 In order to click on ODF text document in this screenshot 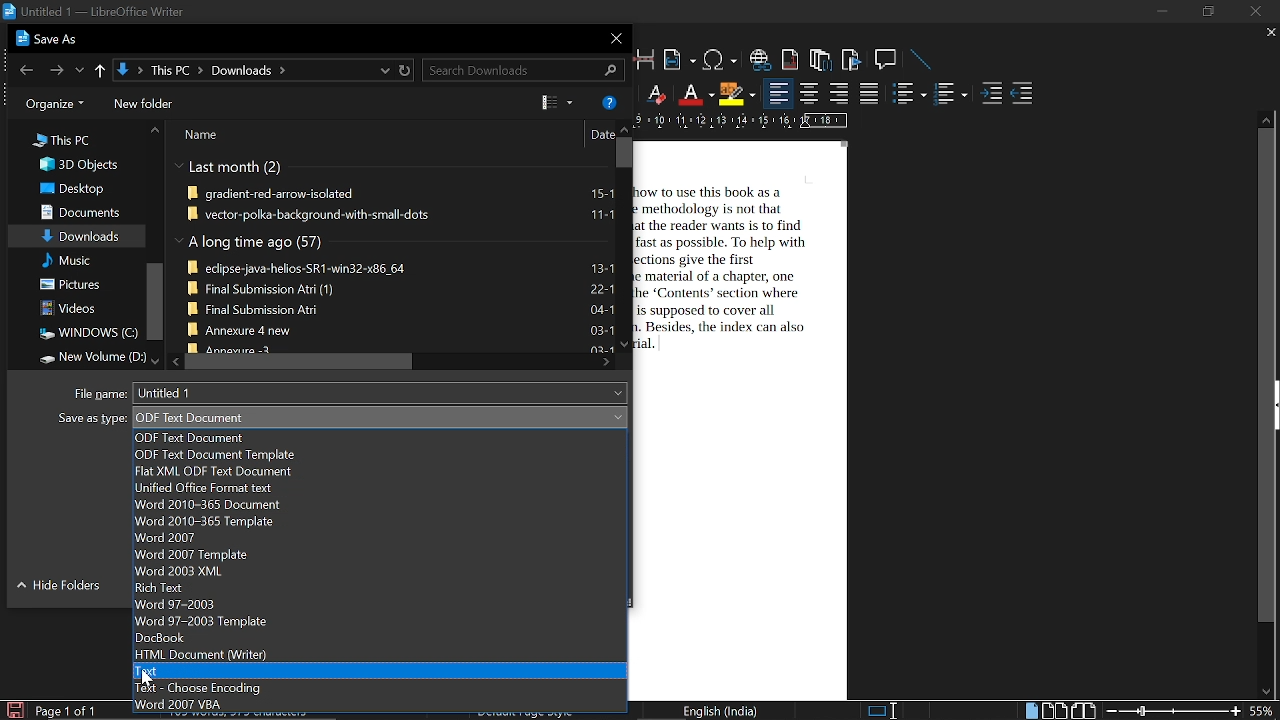, I will do `click(374, 456)`.